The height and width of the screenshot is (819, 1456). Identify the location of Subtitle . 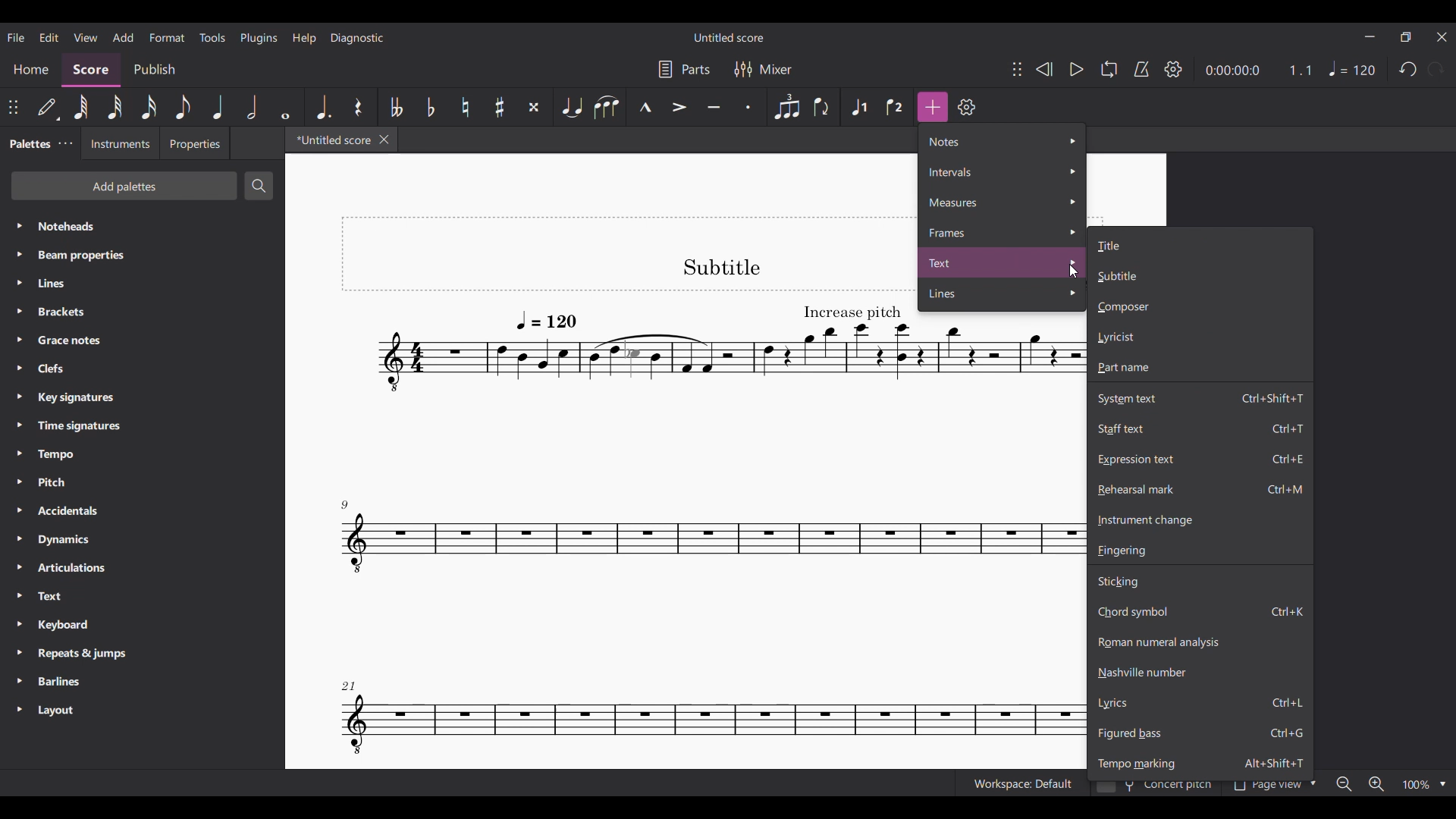
(1199, 276).